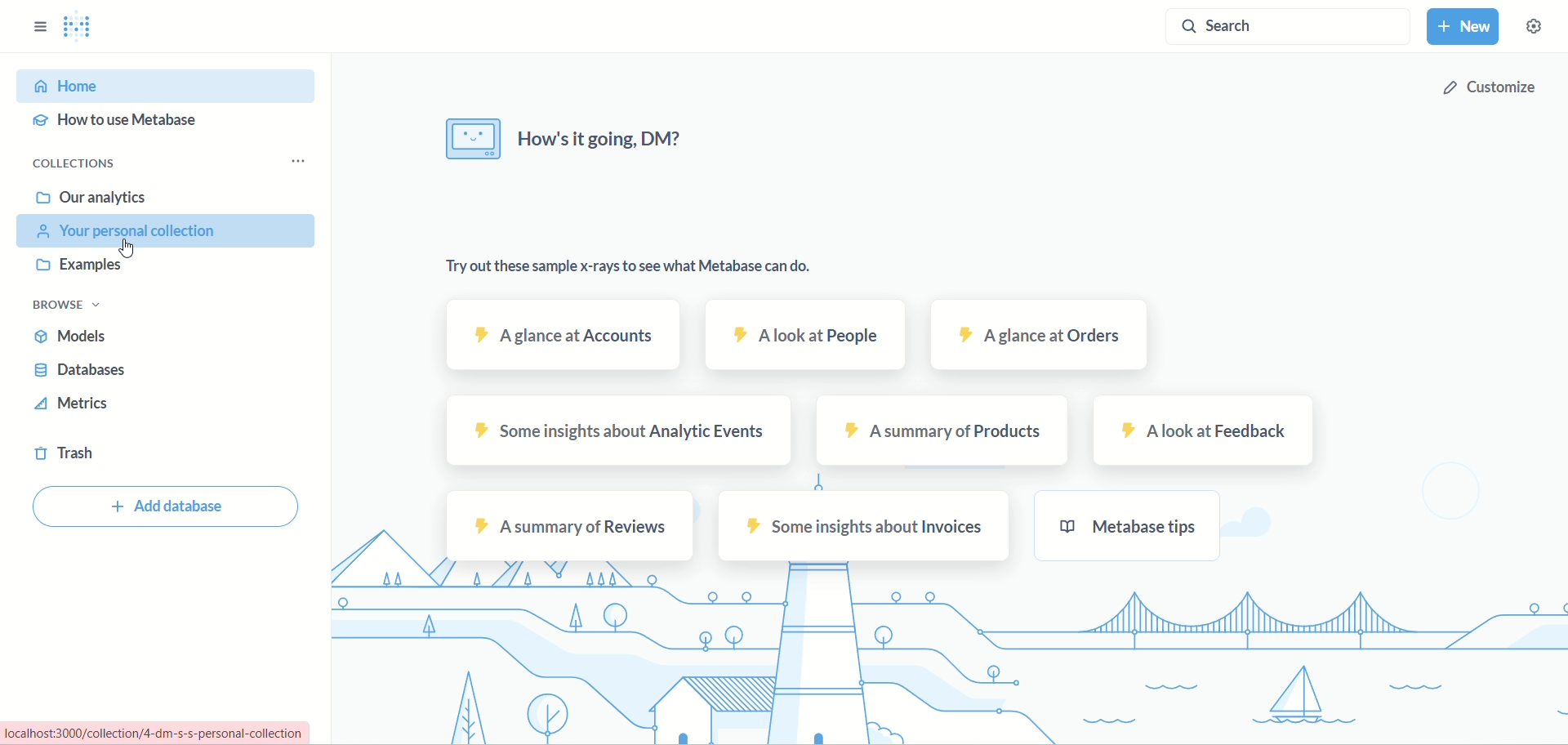  Describe the element at coordinates (1189, 432) in the screenshot. I see `A look at feedback` at that location.